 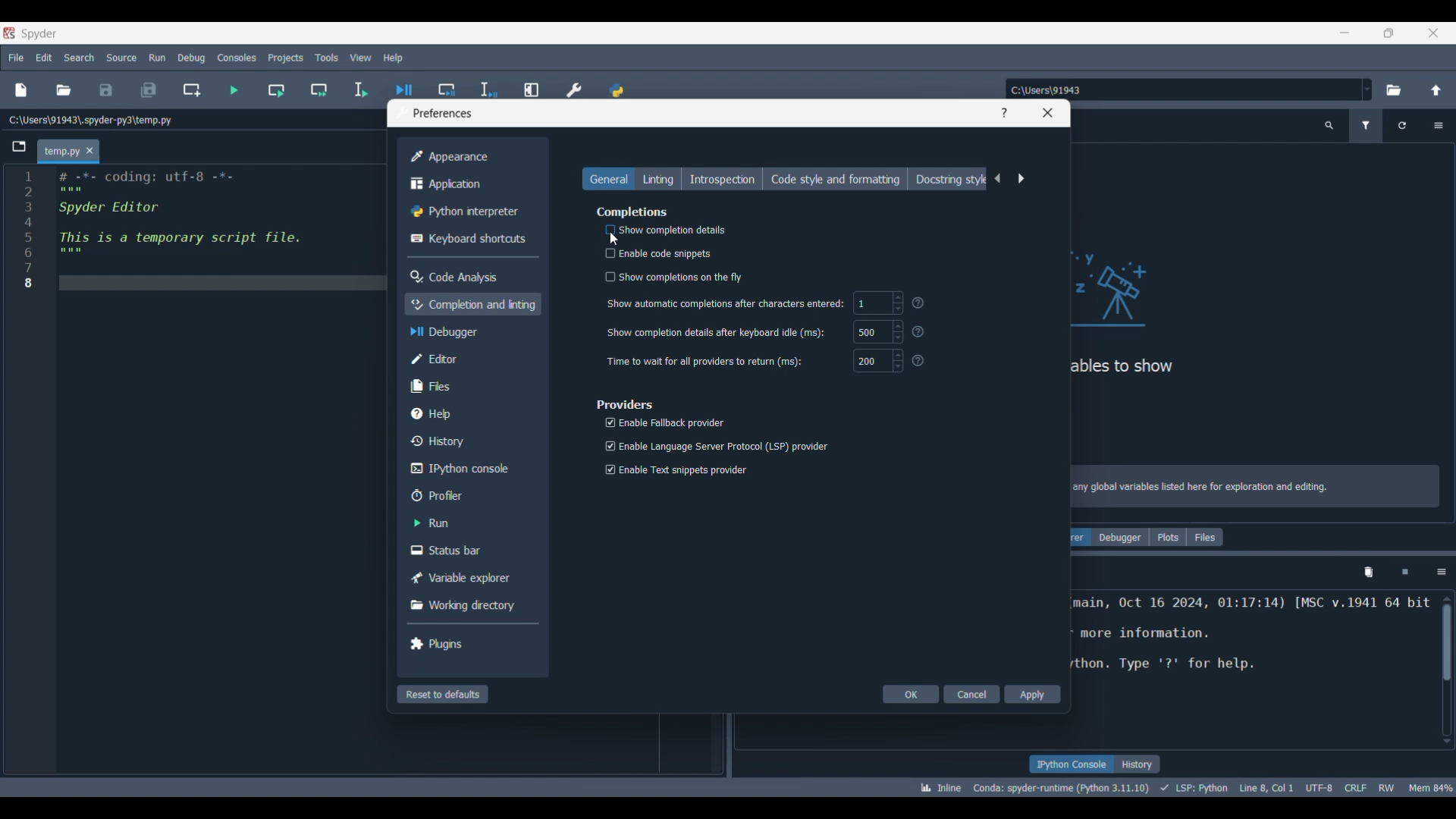 I want to click on PYTHONPATH manager, so click(x=617, y=85).